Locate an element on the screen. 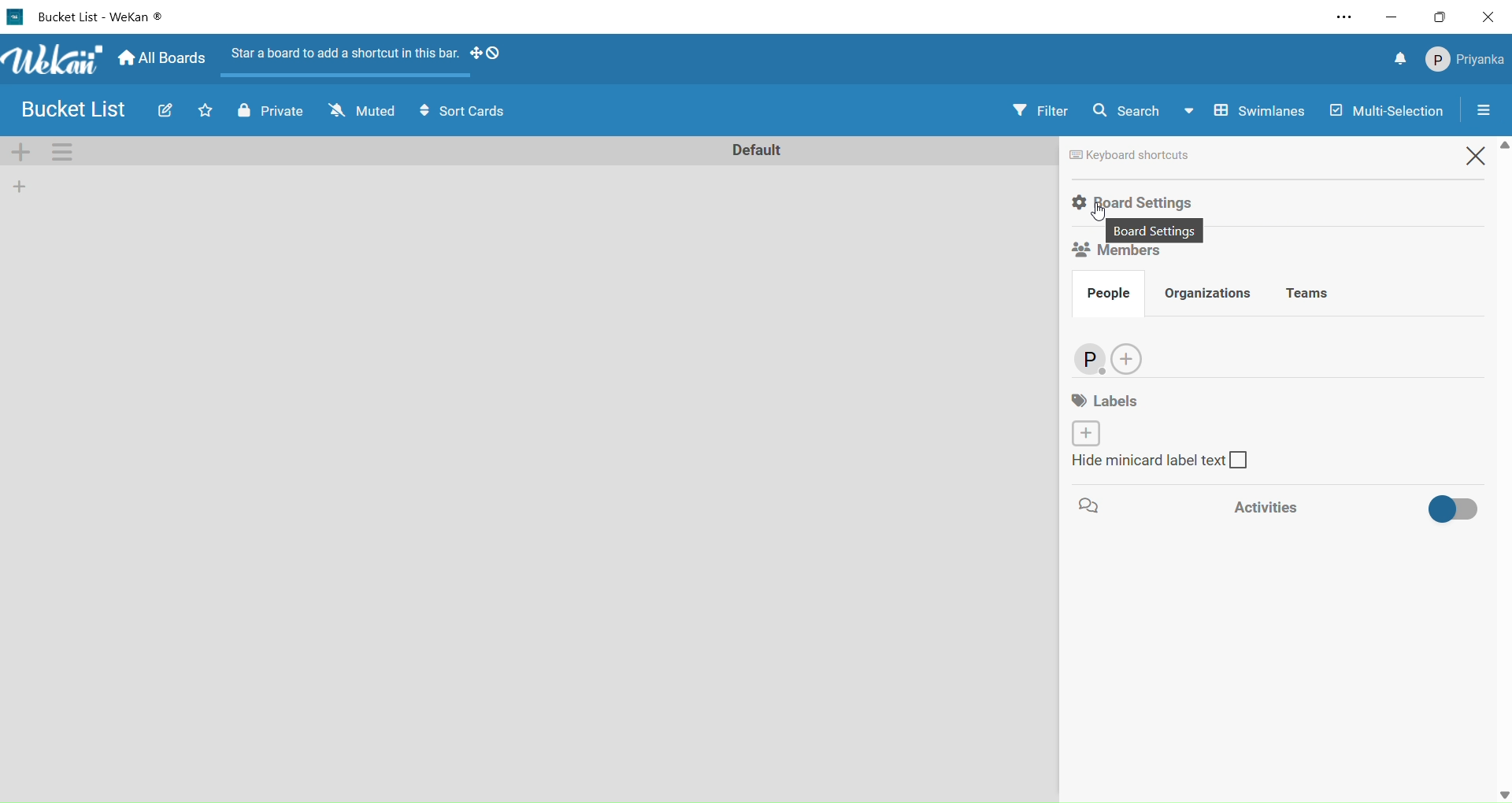 This screenshot has width=1512, height=803. start a board to add a shortcut in this bar. is located at coordinates (343, 62).